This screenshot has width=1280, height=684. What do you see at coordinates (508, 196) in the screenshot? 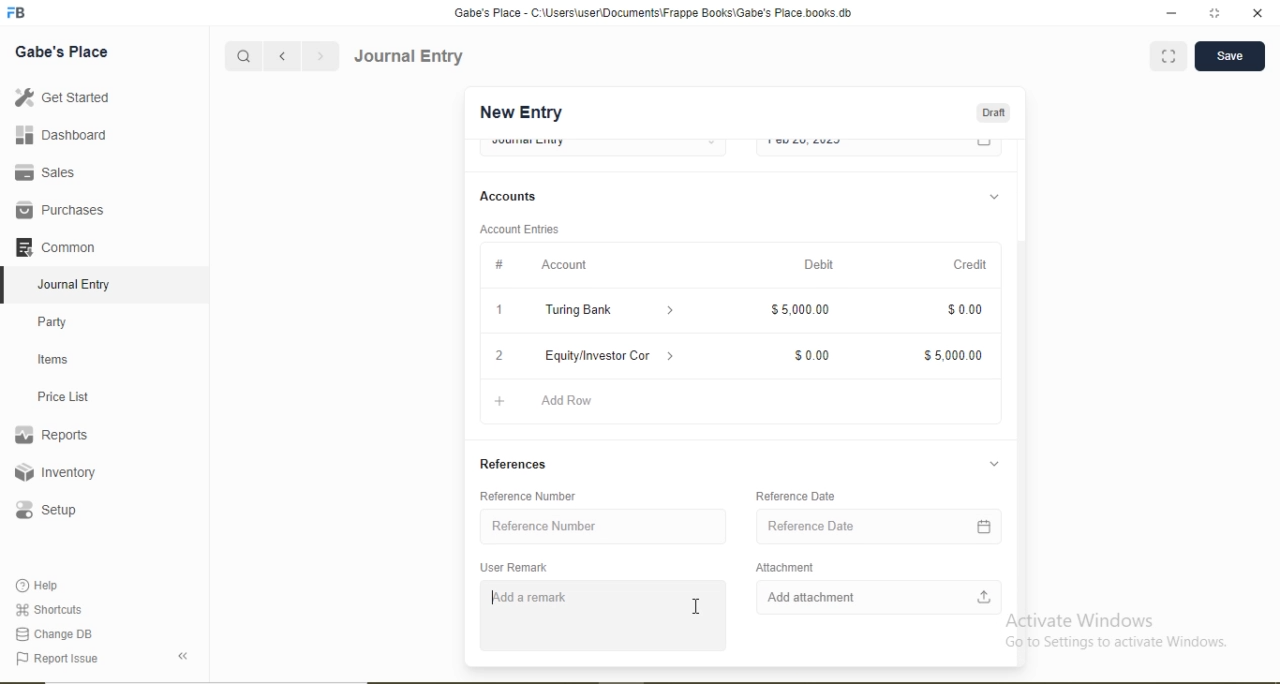
I see `Accounts` at bounding box center [508, 196].